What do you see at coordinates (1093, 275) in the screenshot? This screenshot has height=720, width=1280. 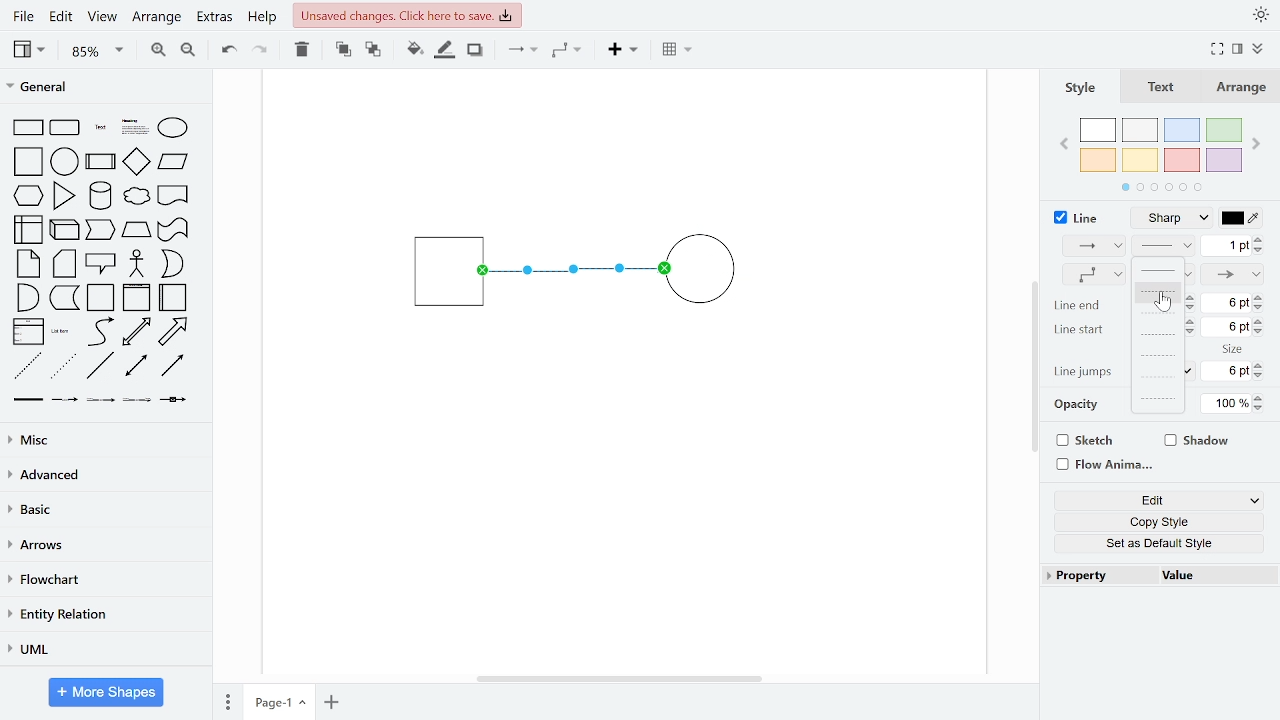 I see `waypoints` at bounding box center [1093, 275].